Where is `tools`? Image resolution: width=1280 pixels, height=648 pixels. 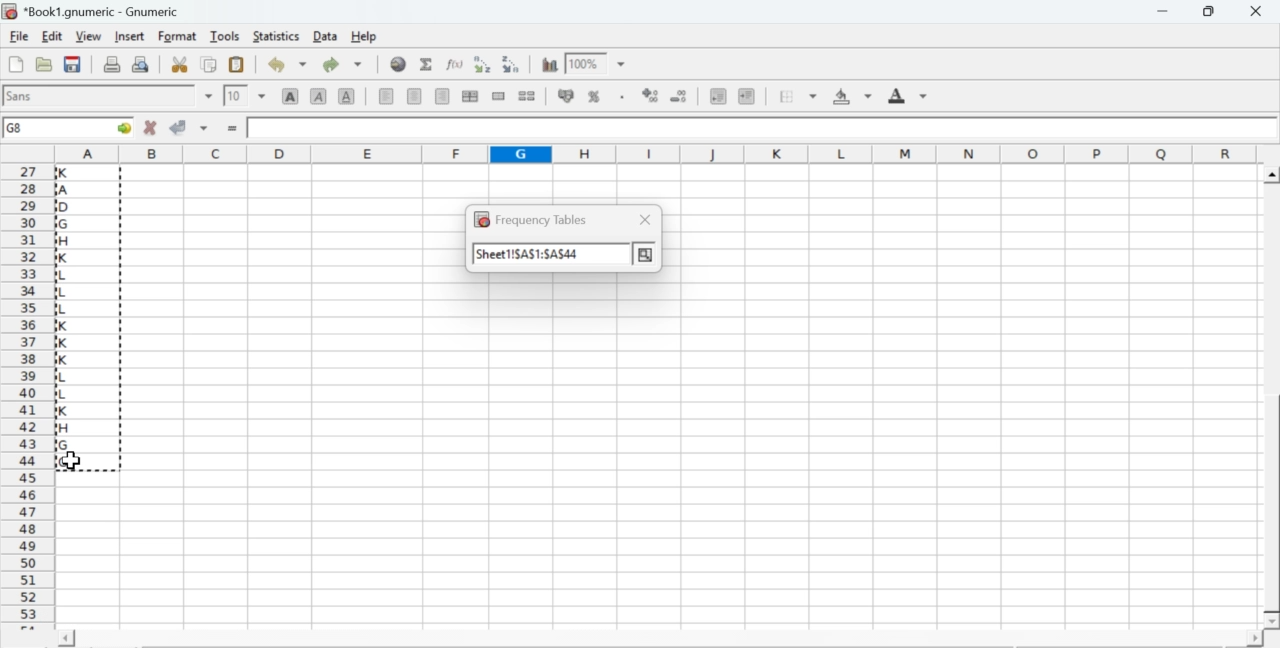 tools is located at coordinates (226, 35).